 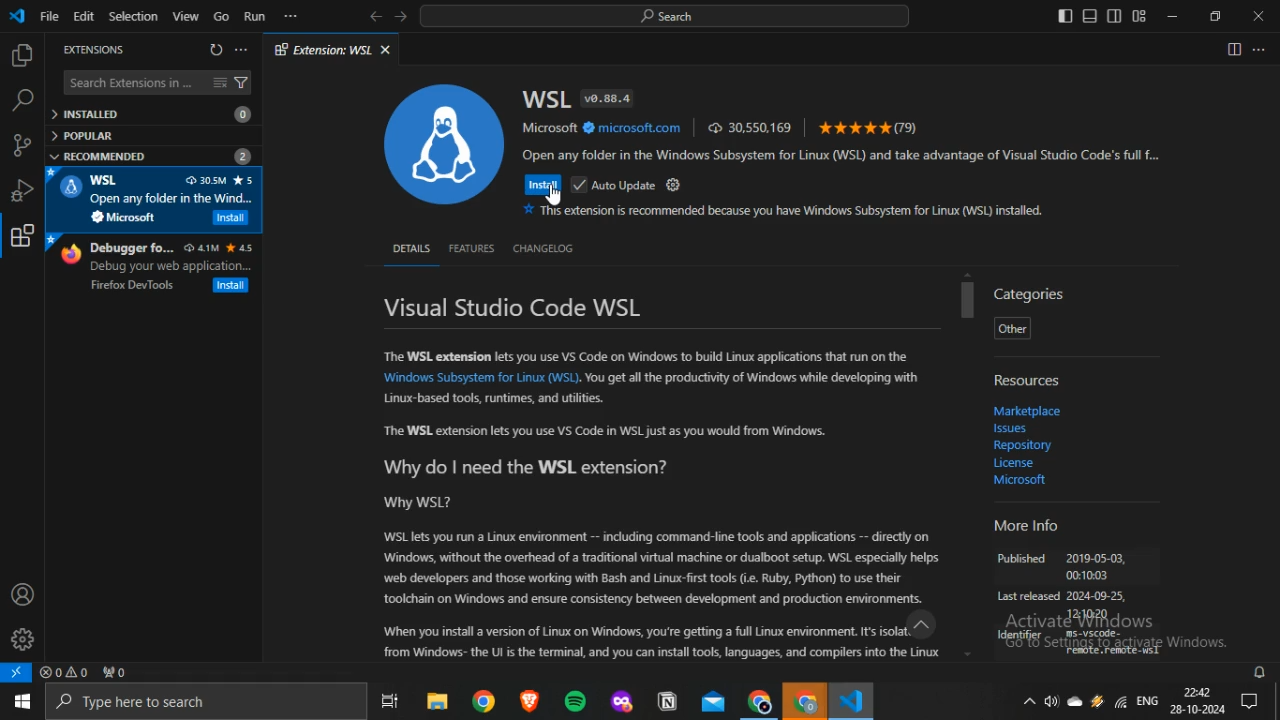 What do you see at coordinates (1088, 613) in the screenshot?
I see `121020` at bounding box center [1088, 613].